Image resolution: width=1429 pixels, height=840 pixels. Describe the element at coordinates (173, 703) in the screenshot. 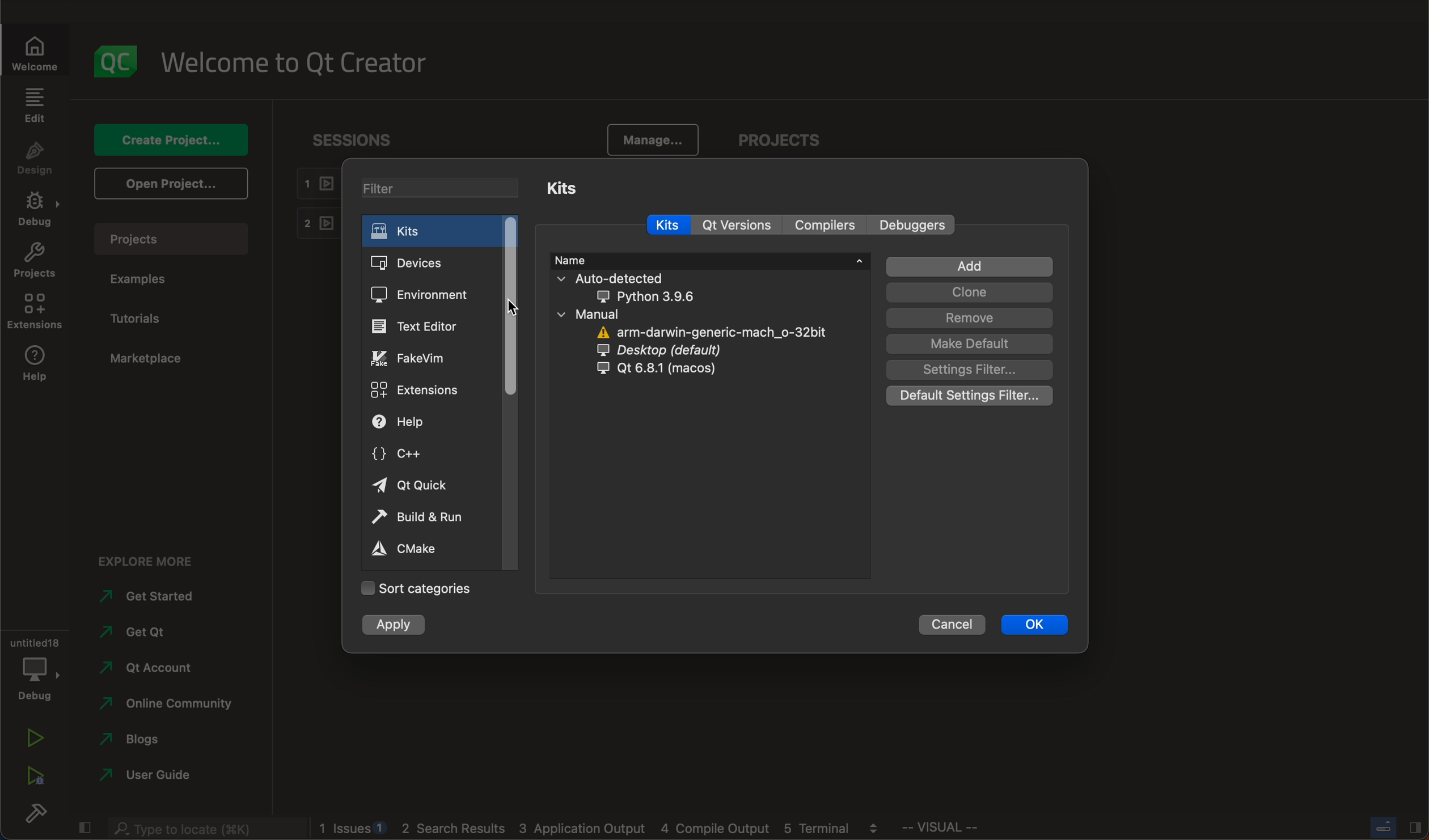

I see `community` at that location.